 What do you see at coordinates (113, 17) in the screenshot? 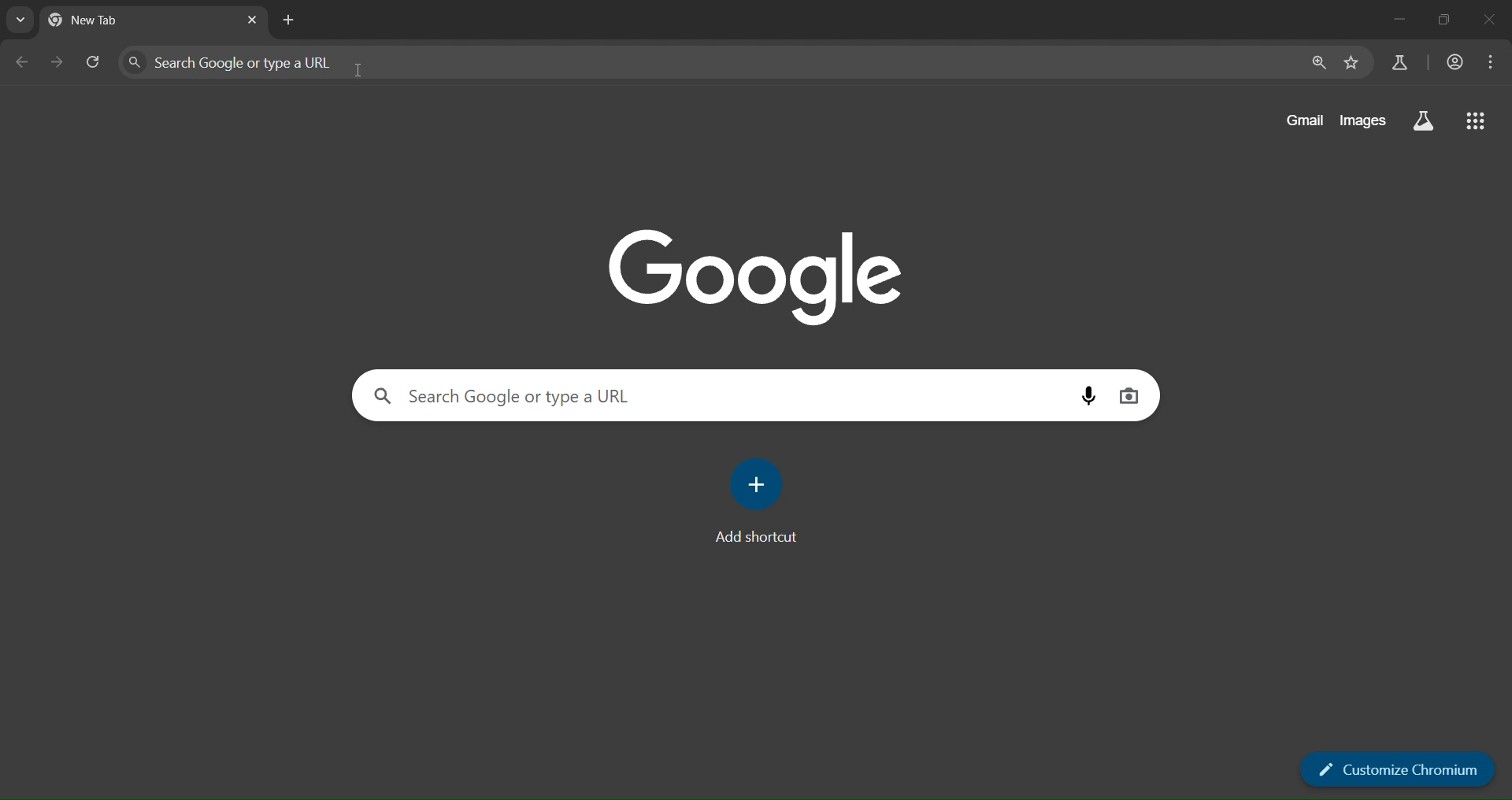
I see `current tab` at bounding box center [113, 17].